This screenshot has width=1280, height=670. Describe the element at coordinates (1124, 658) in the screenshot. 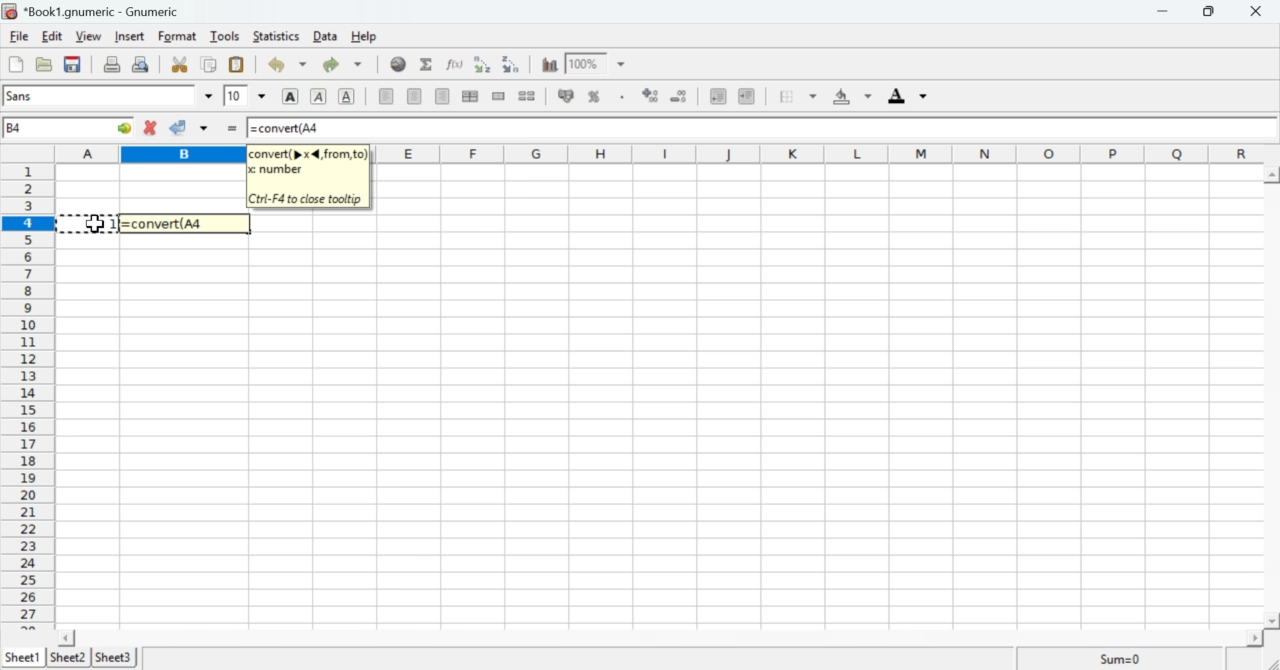

I see `Sum` at that location.